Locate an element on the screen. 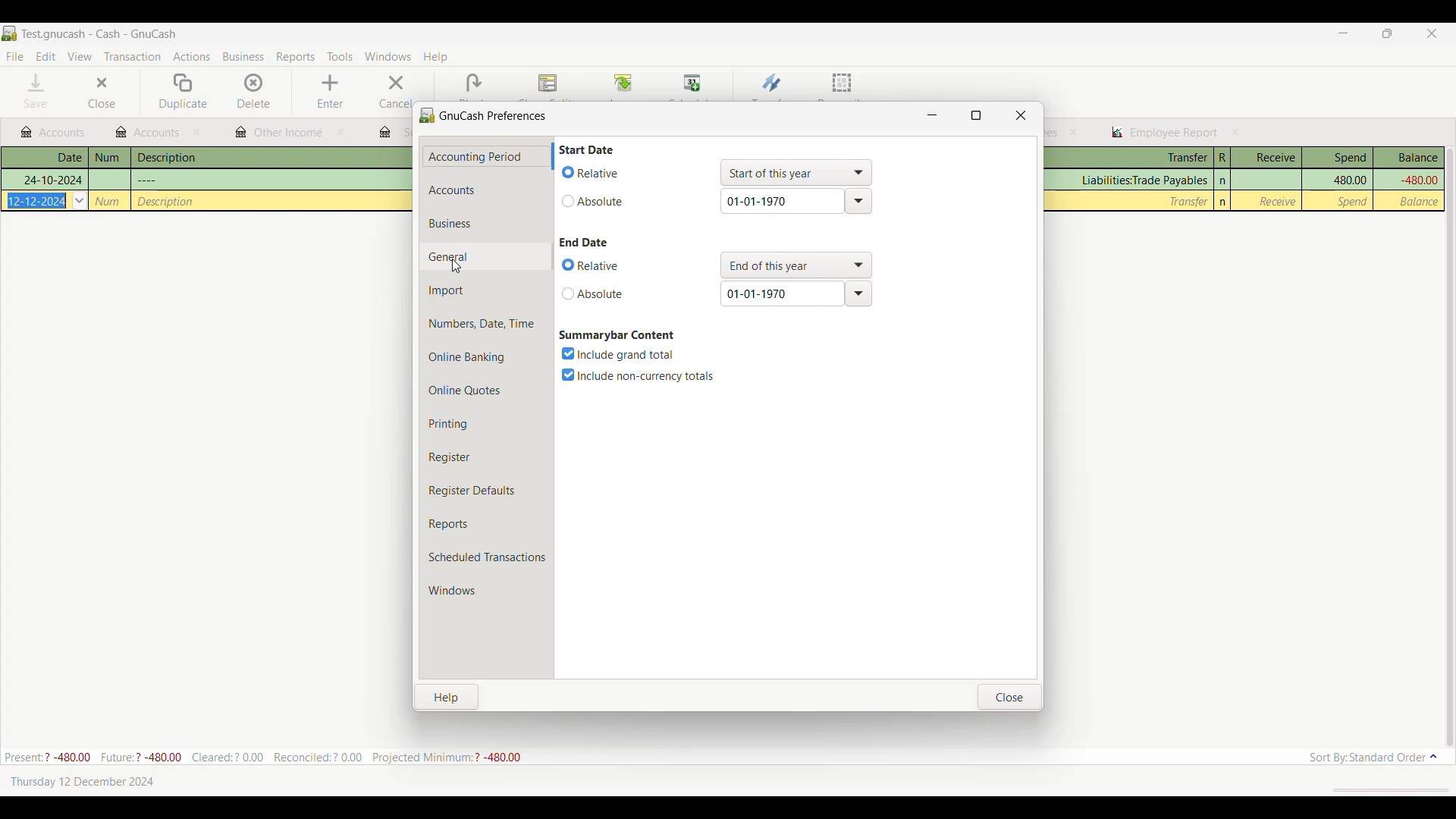 The height and width of the screenshot is (819, 1456). Description column is located at coordinates (272, 156).